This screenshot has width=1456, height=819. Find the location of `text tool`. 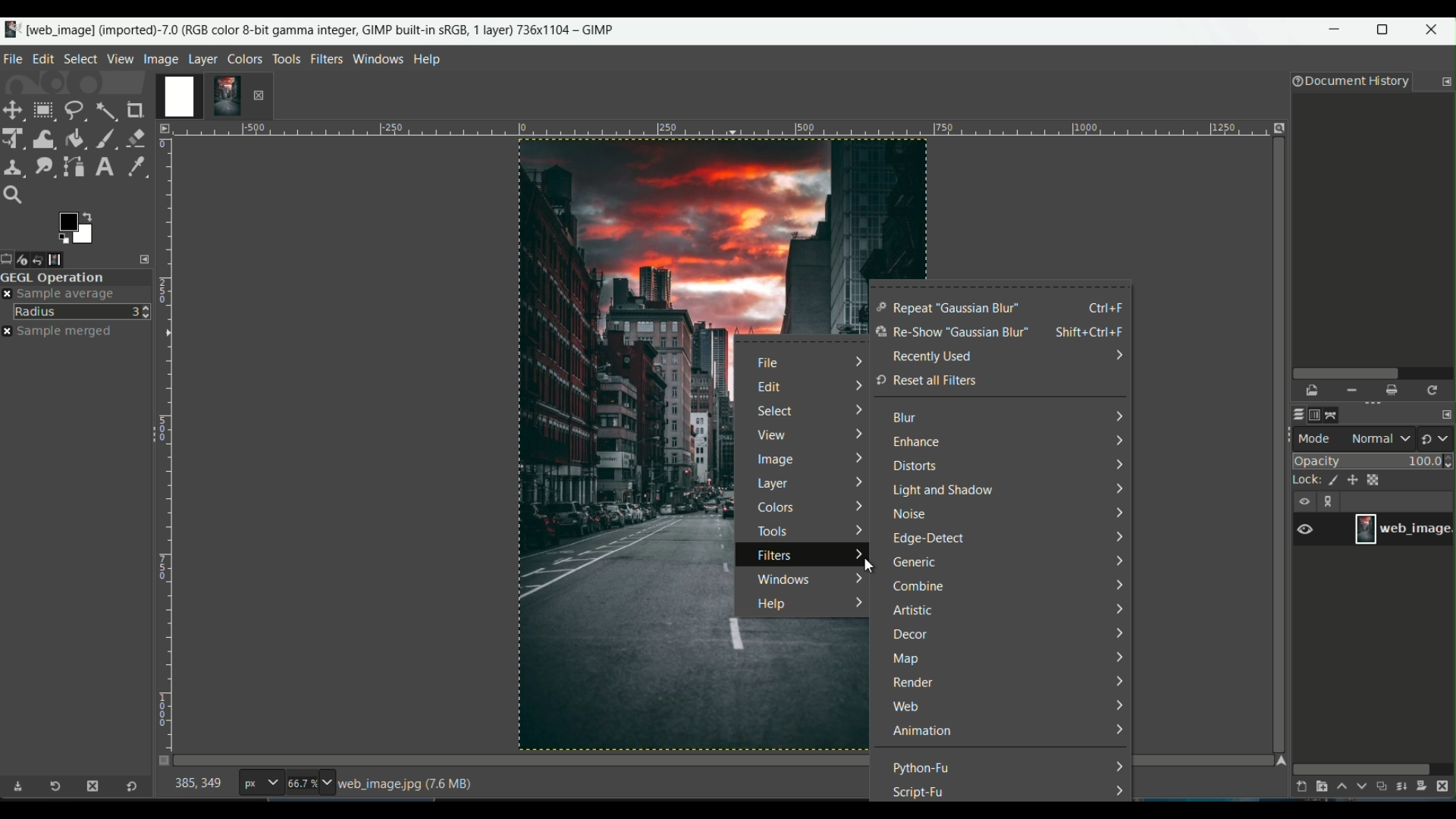

text tool is located at coordinates (103, 167).